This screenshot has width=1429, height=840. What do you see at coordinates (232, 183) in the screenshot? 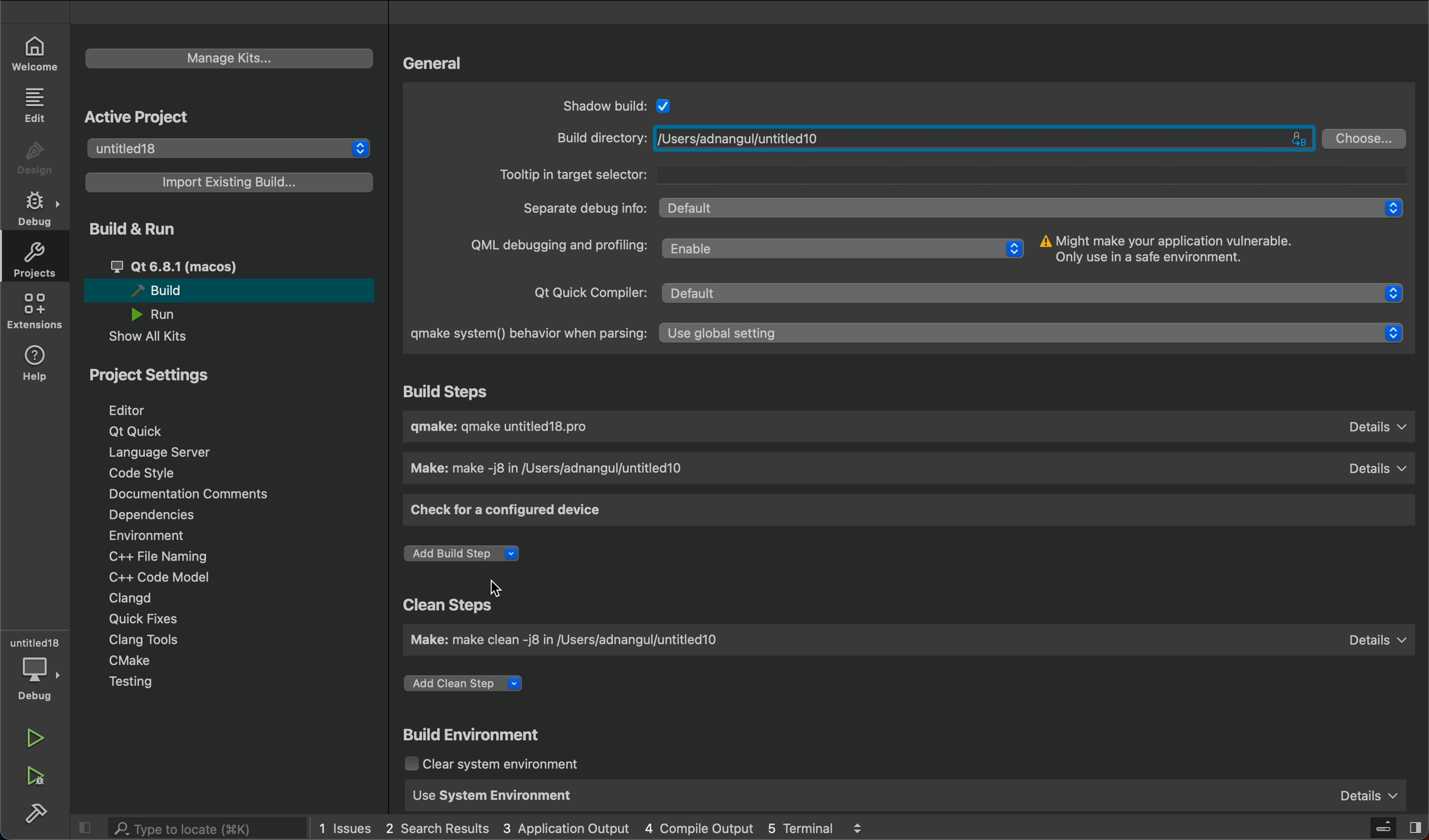
I see `Import Existing Build...` at bounding box center [232, 183].